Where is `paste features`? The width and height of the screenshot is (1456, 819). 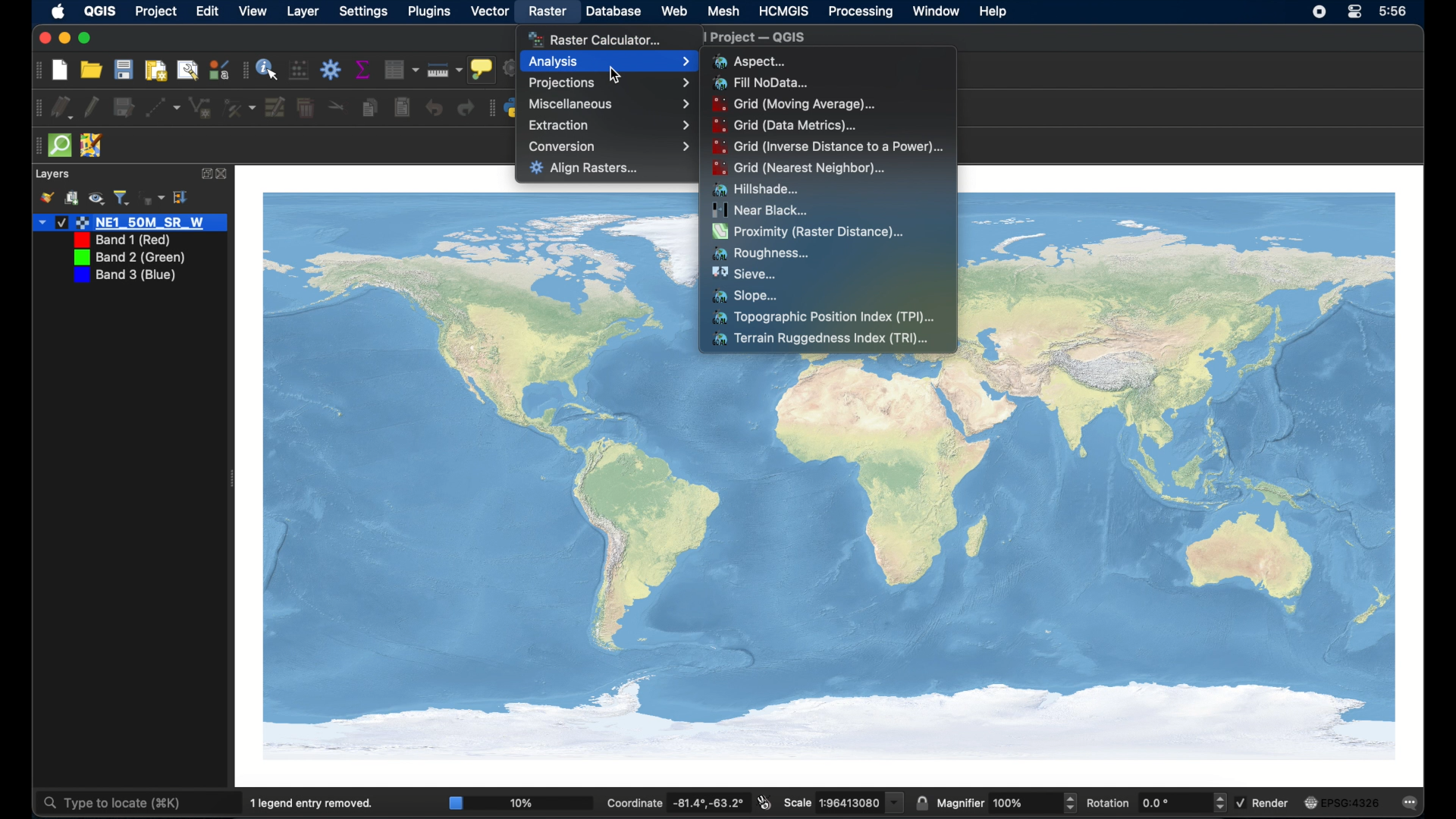
paste features is located at coordinates (401, 106).